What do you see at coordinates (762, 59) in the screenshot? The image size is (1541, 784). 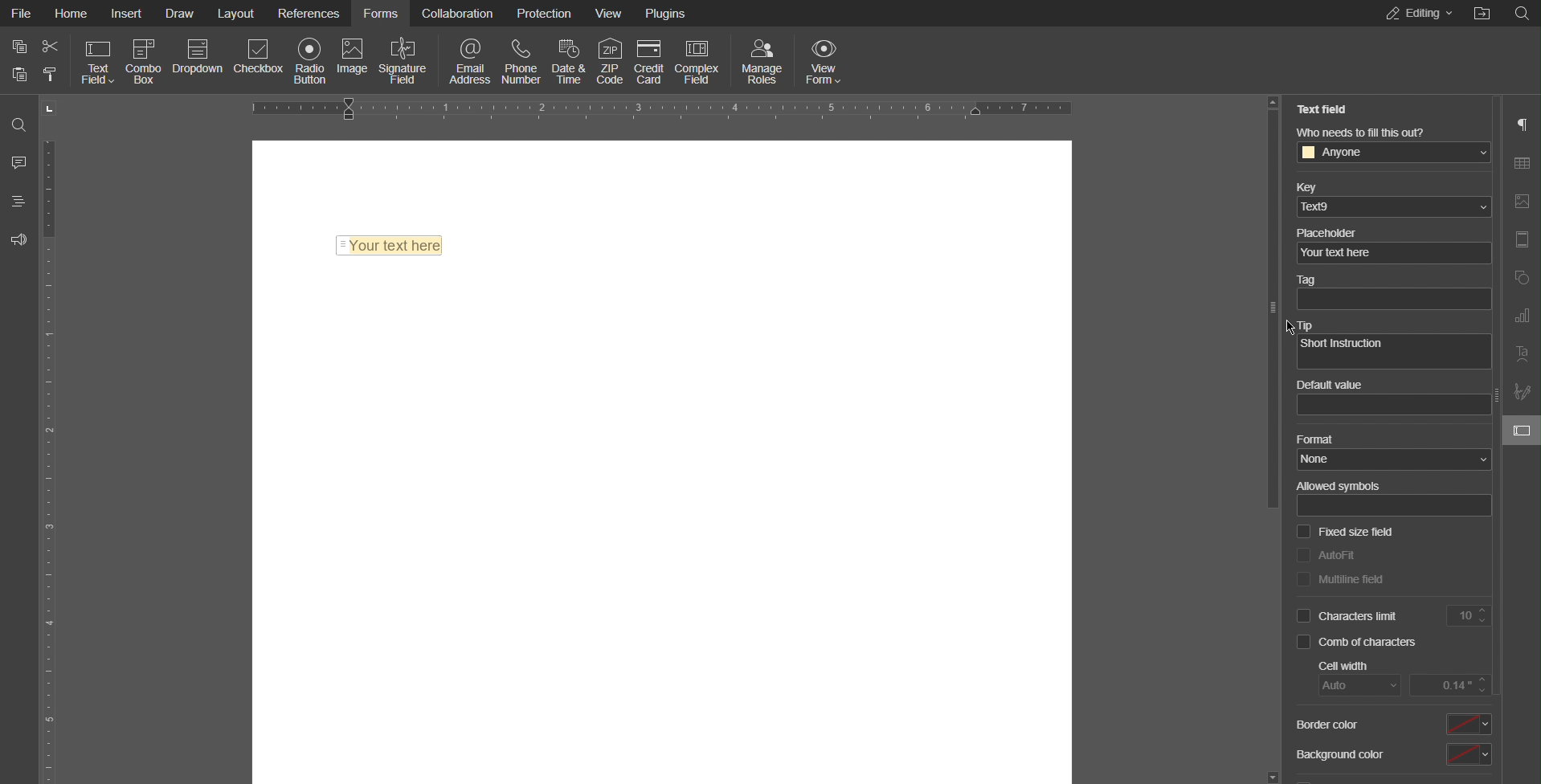 I see `Manage Roles` at bounding box center [762, 59].